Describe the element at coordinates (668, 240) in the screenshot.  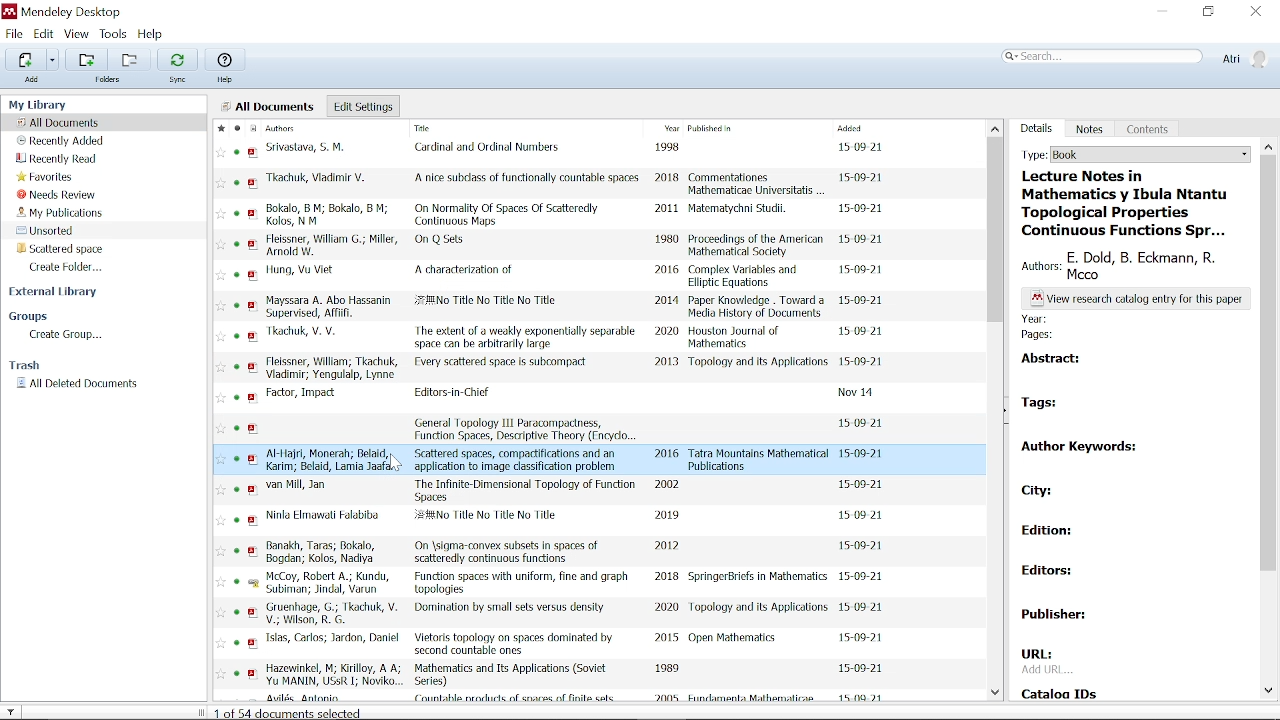
I see `1980` at that location.